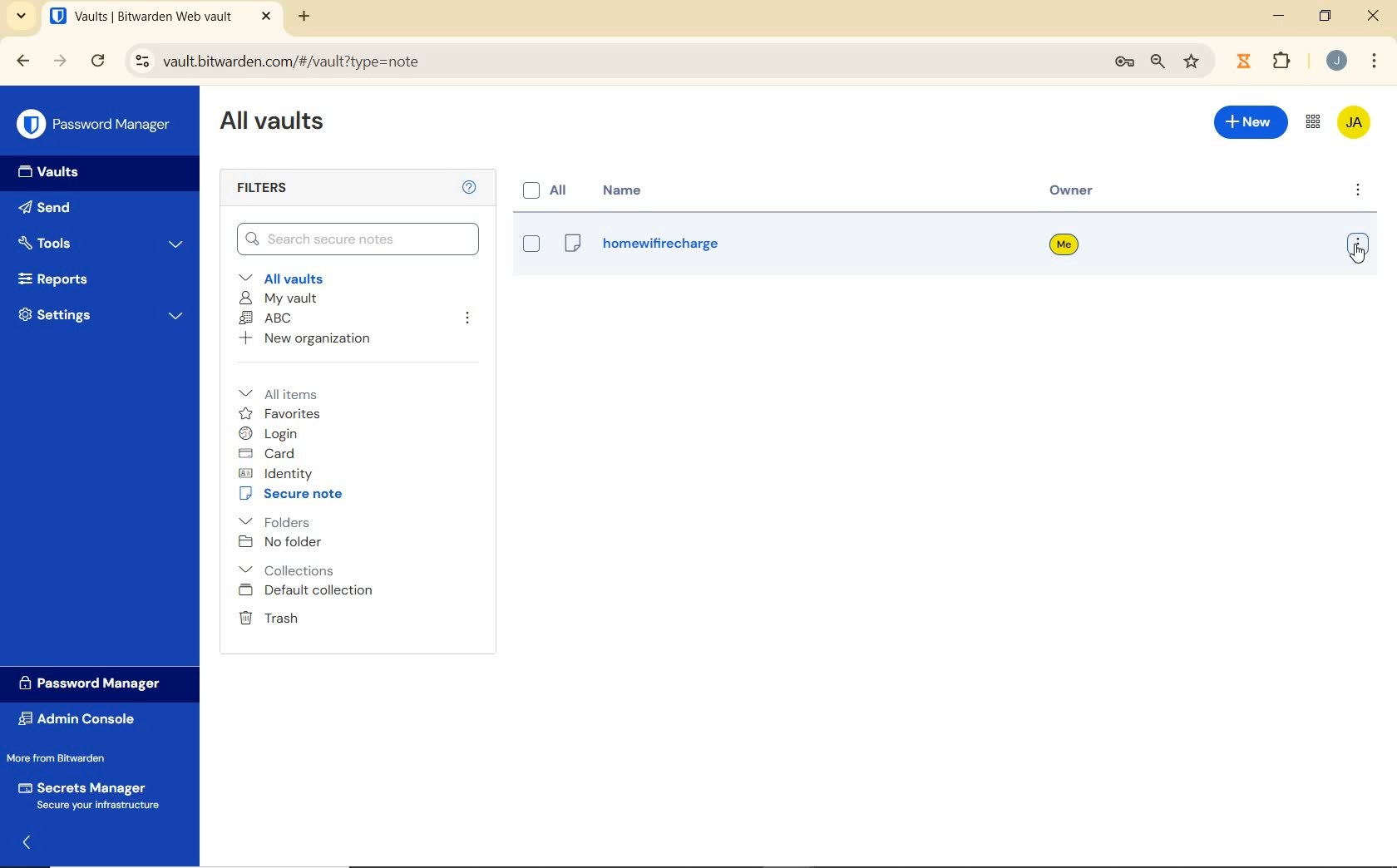 The height and width of the screenshot is (868, 1397). I want to click on name, so click(628, 190).